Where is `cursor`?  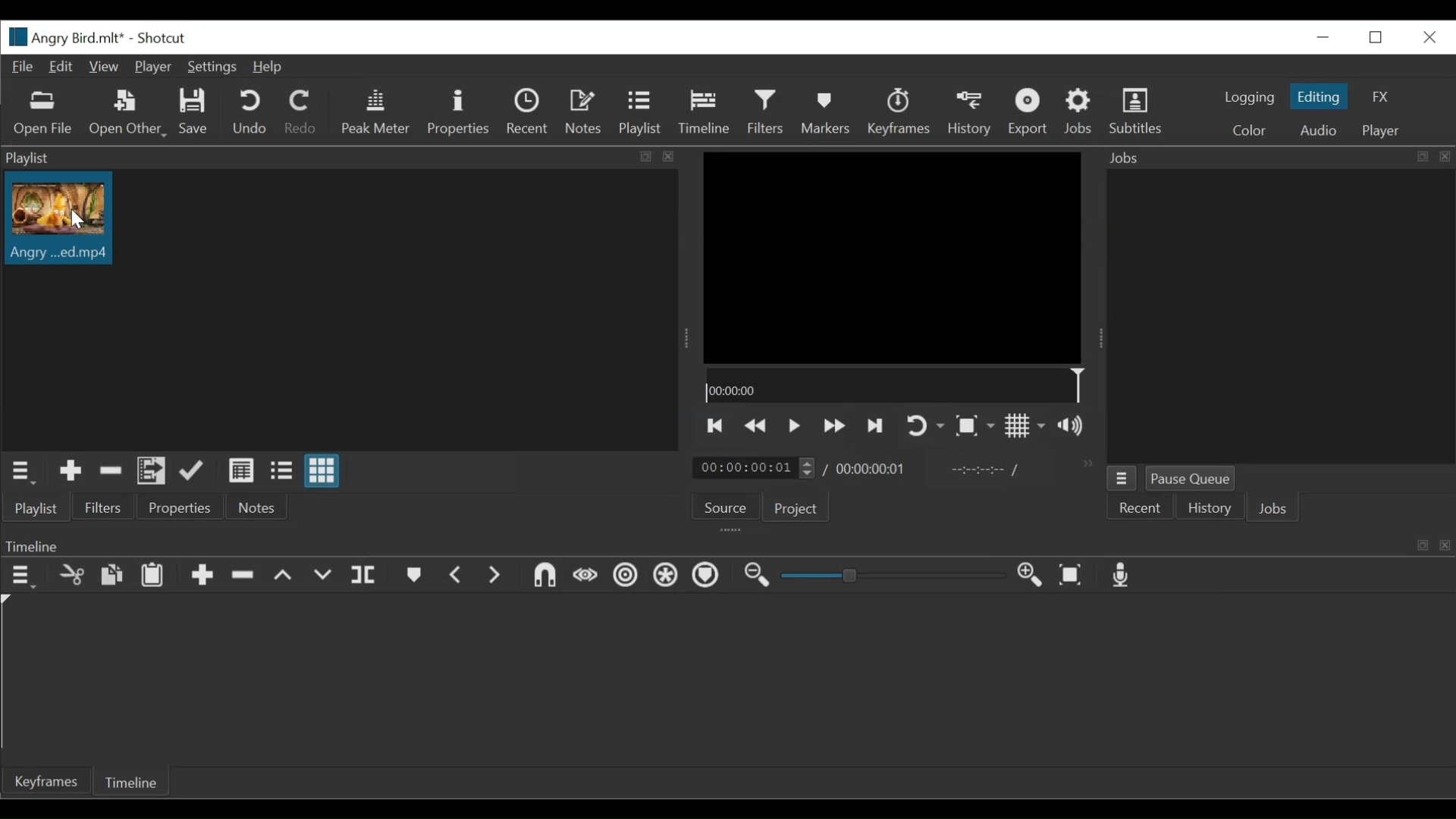 cursor is located at coordinates (72, 225).